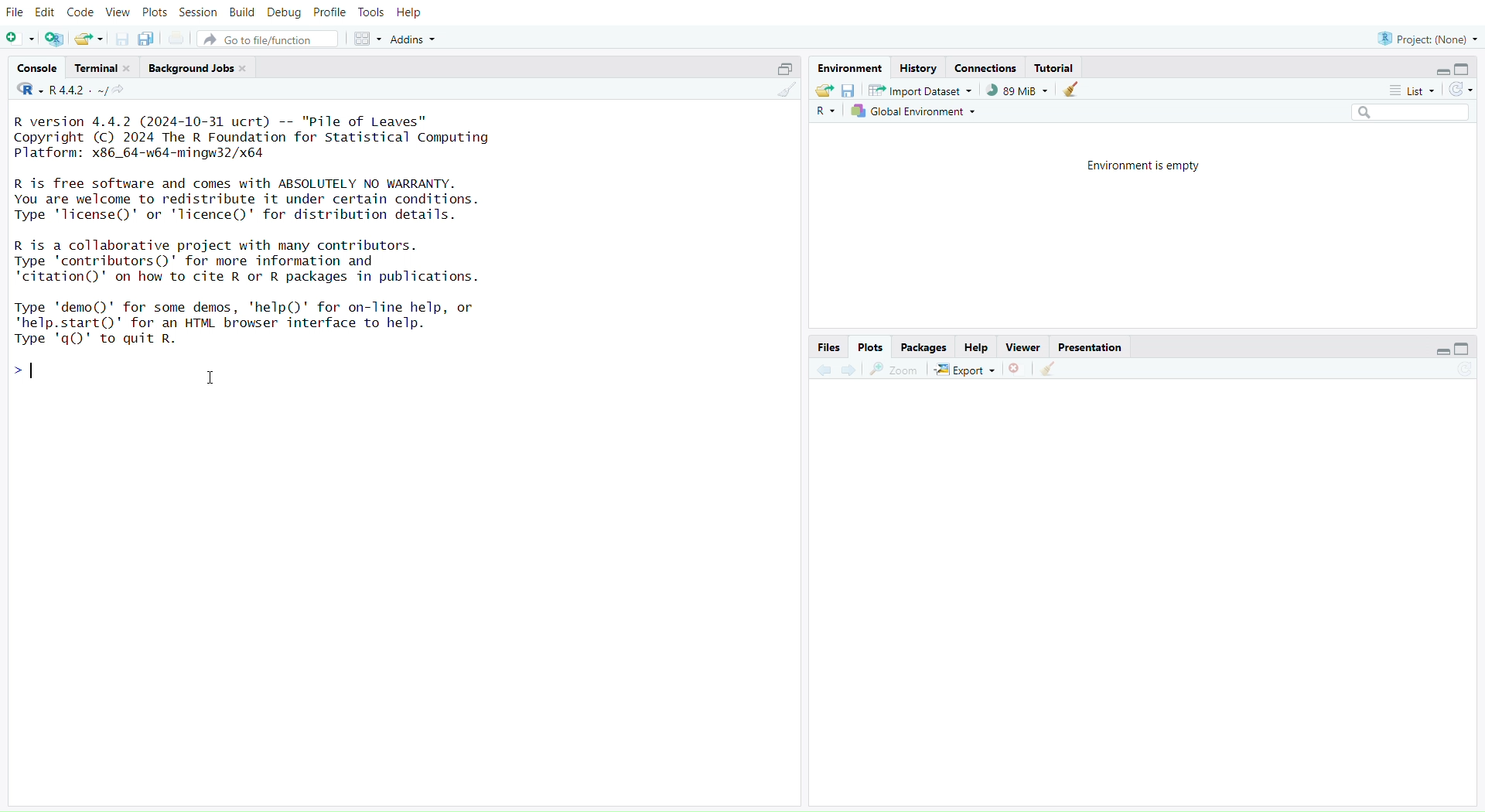 The image size is (1485, 812). Describe the element at coordinates (780, 70) in the screenshot. I see `Maximize` at that location.